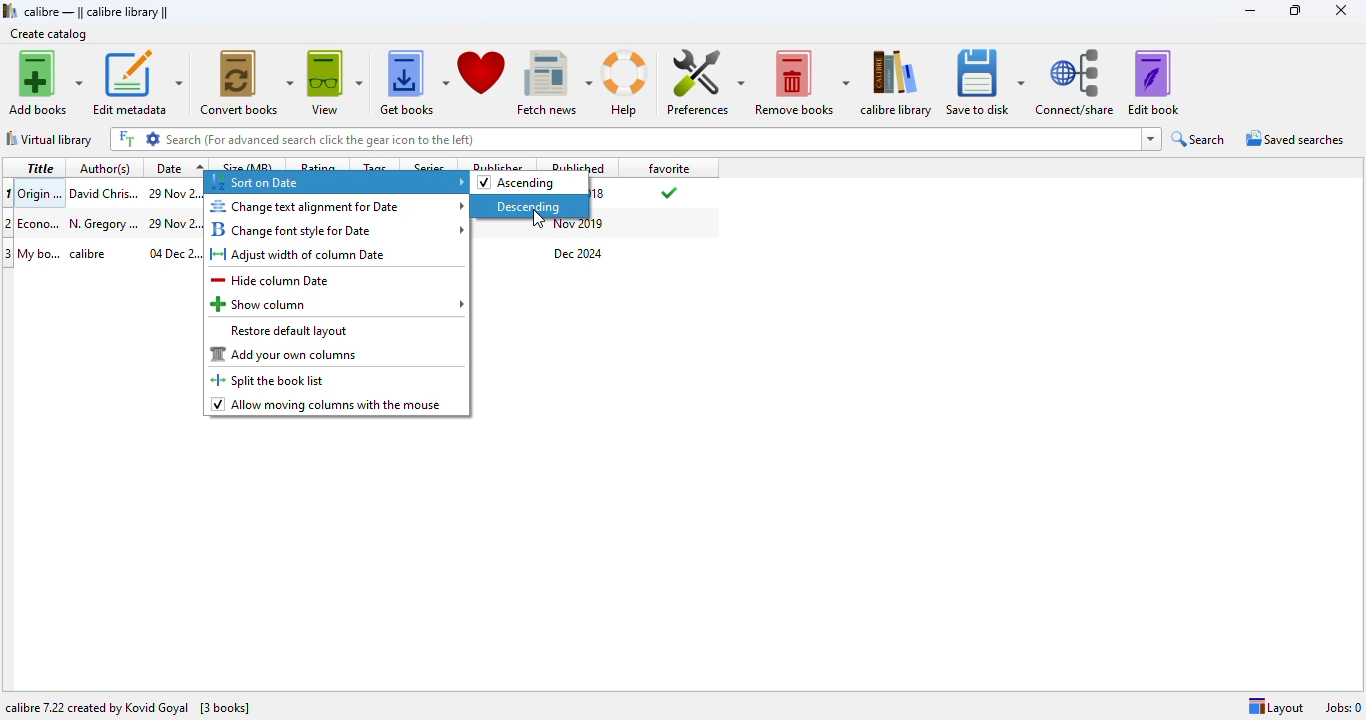 This screenshot has width=1366, height=720. I want to click on calibre 7.22 created by Kovid Goyal, so click(97, 708).